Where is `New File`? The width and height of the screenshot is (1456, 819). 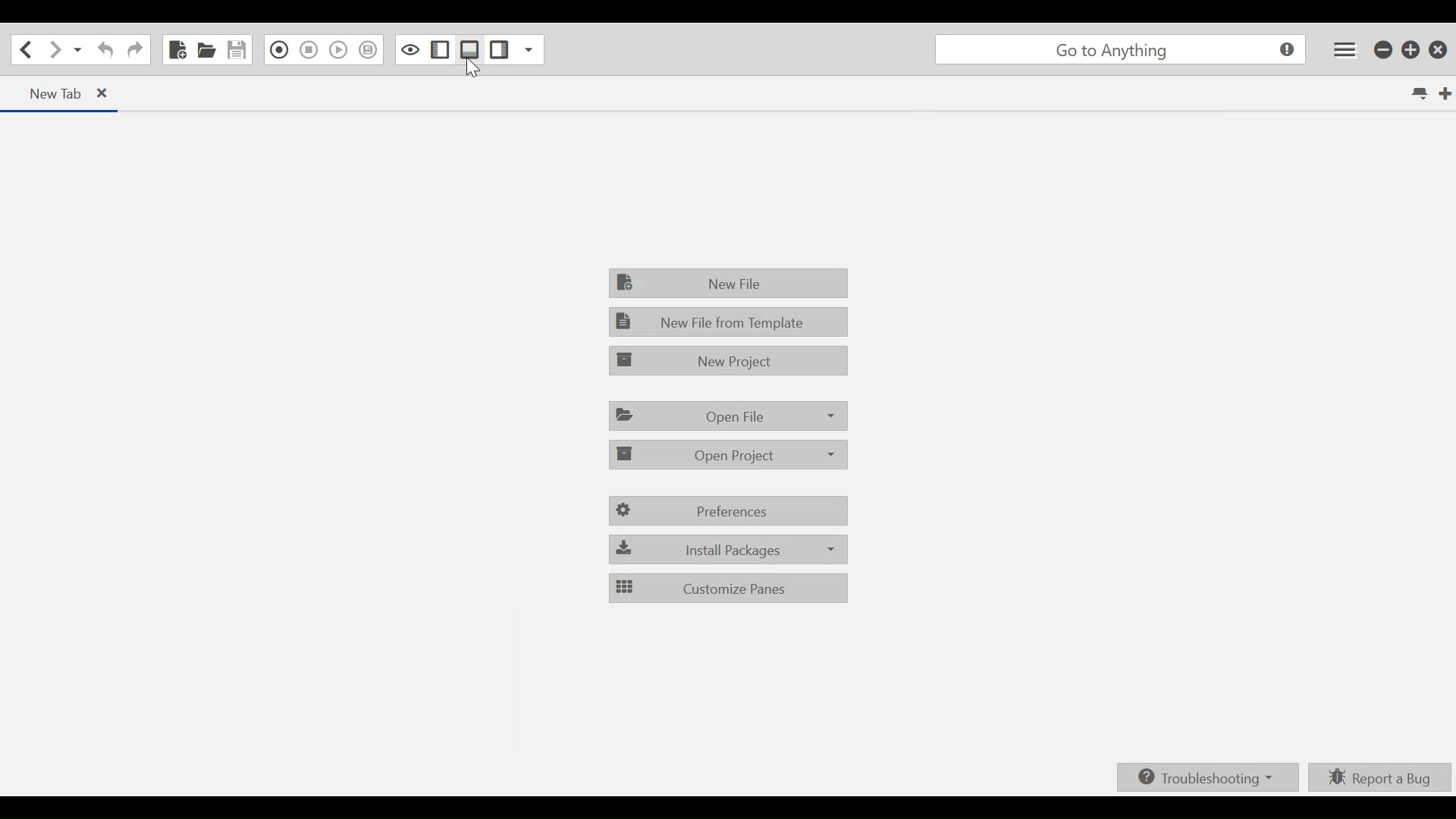
New File is located at coordinates (178, 49).